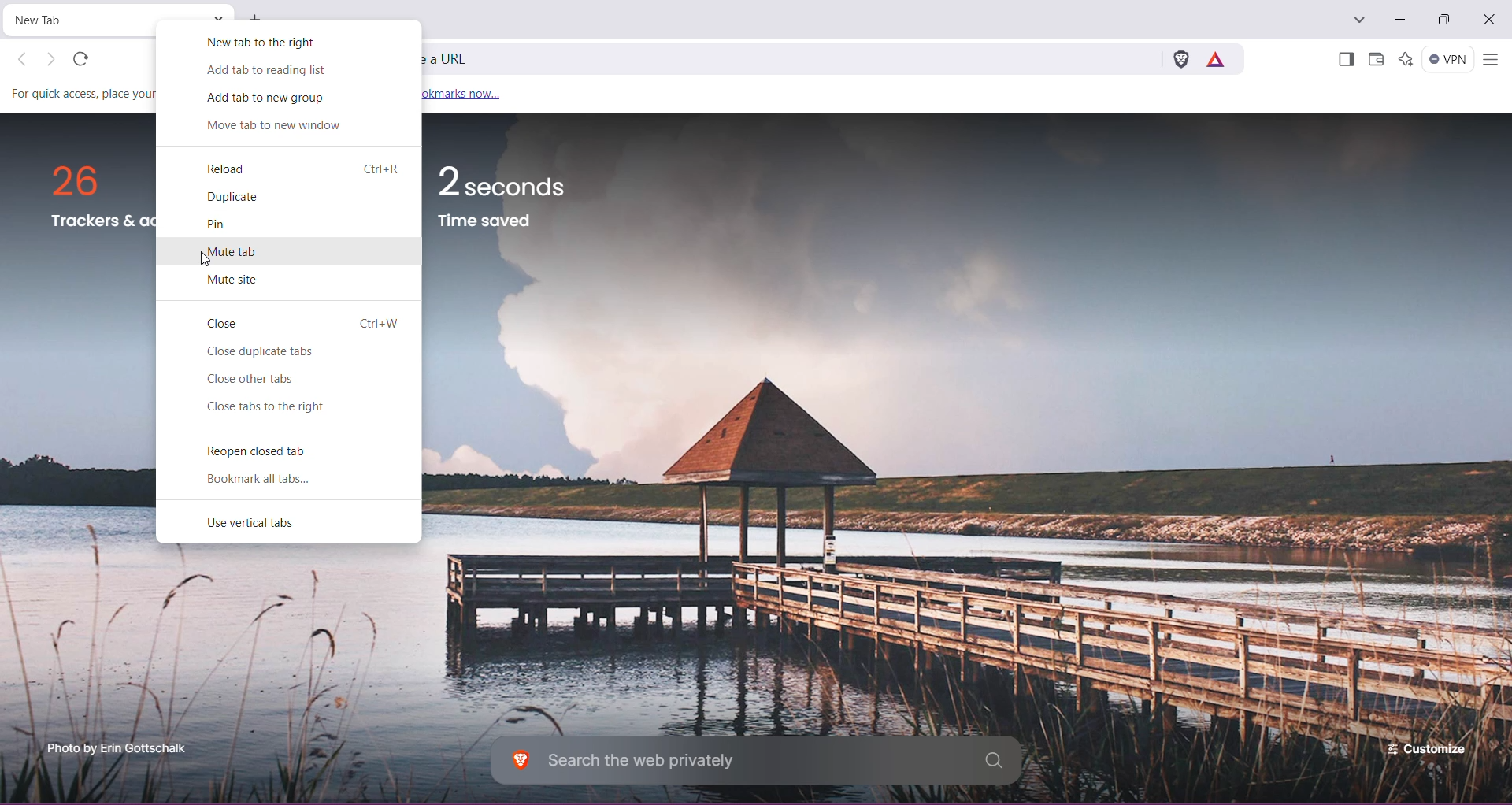 The height and width of the screenshot is (805, 1512). What do you see at coordinates (23, 60) in the screenshot?
I see `Click to go back, hold to see history` at bounding box center [23, 60].